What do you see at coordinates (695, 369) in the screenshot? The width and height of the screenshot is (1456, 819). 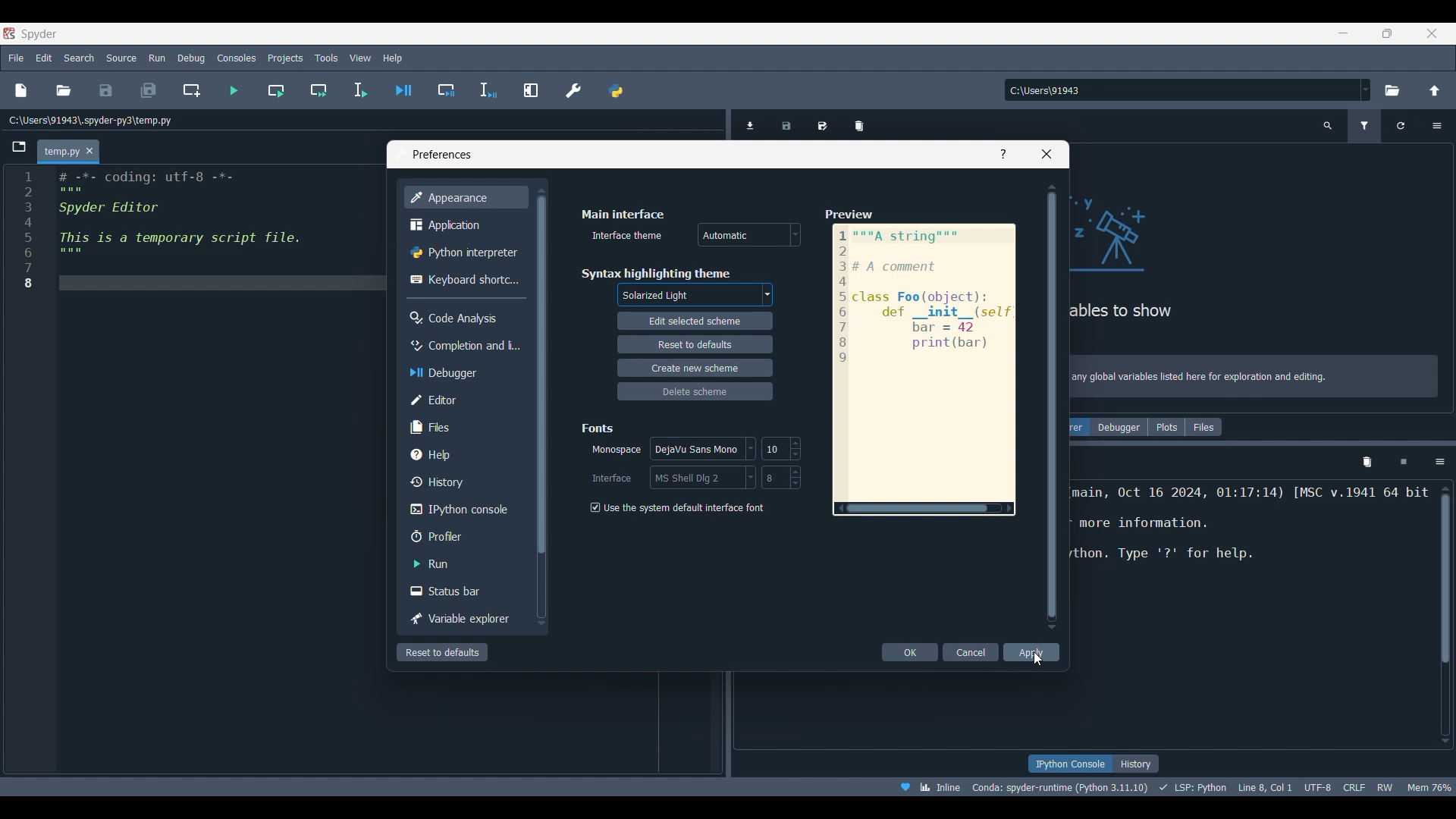 I see `create new scheme` at bounding box center [695, 369].